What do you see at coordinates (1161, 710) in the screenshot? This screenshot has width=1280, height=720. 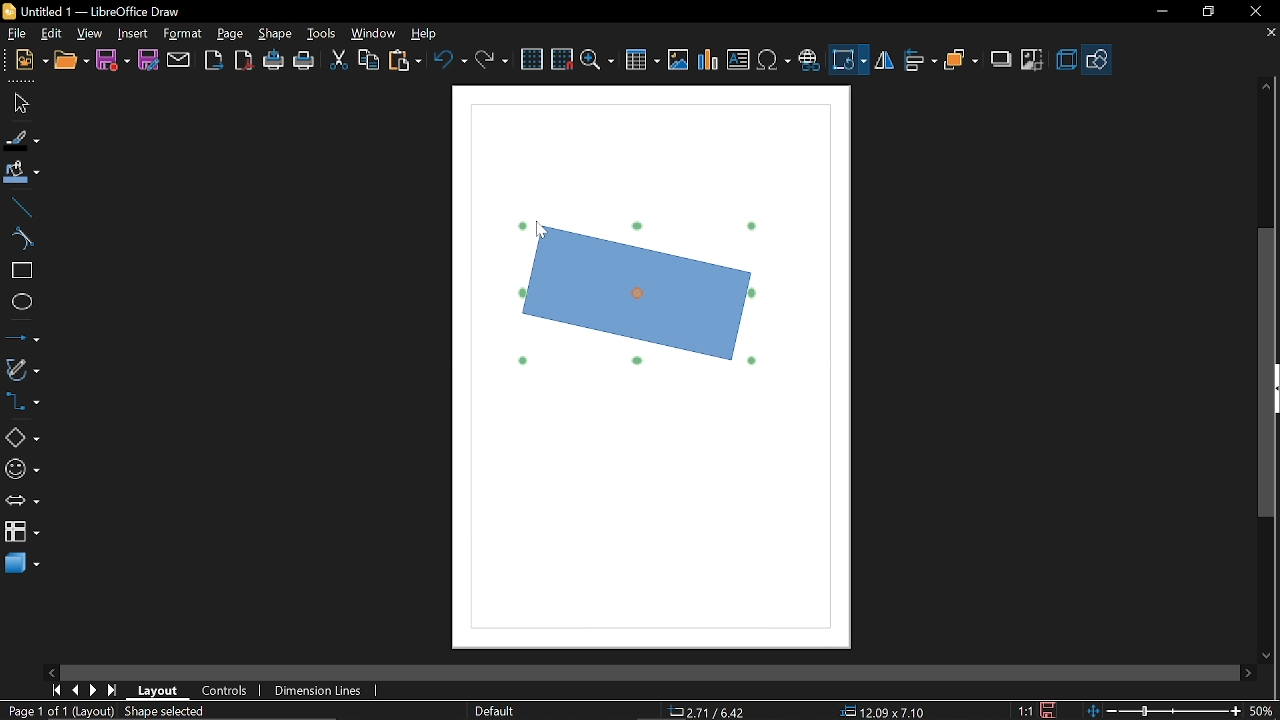 I see `Change zoom` at bounding box center [1161, 710].